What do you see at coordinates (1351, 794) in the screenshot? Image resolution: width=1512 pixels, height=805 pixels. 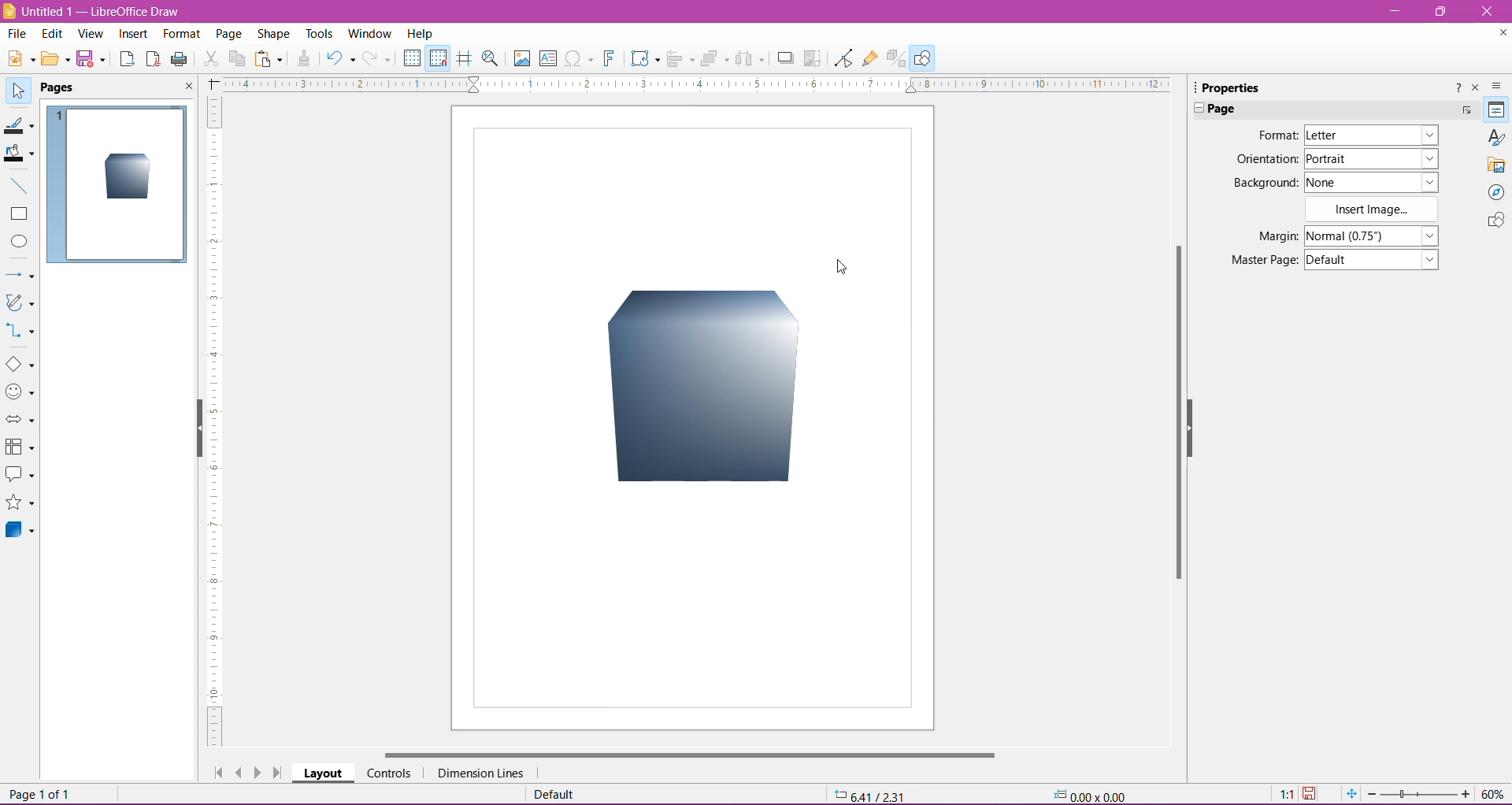 I see `Fit Page to current window` at bounding box center [1351, 794].